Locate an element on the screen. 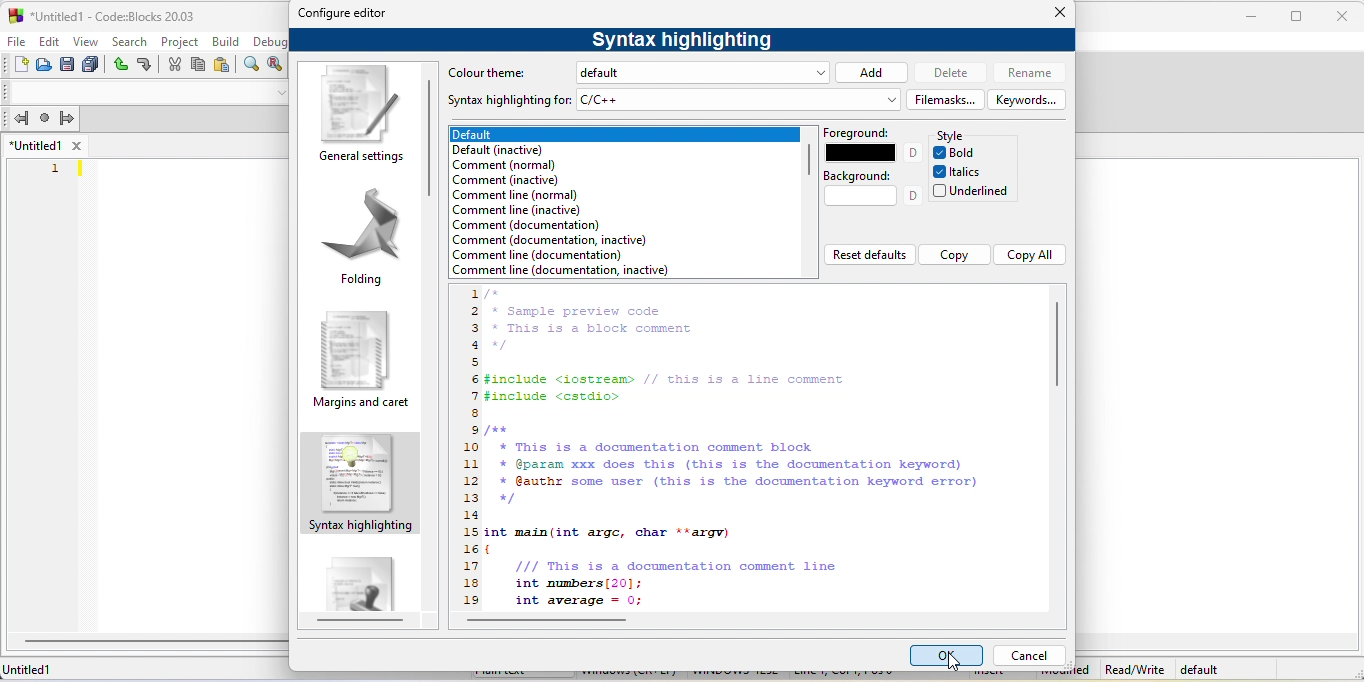 The image size is (1364, 682). cut is located at coordinates (174, 64).